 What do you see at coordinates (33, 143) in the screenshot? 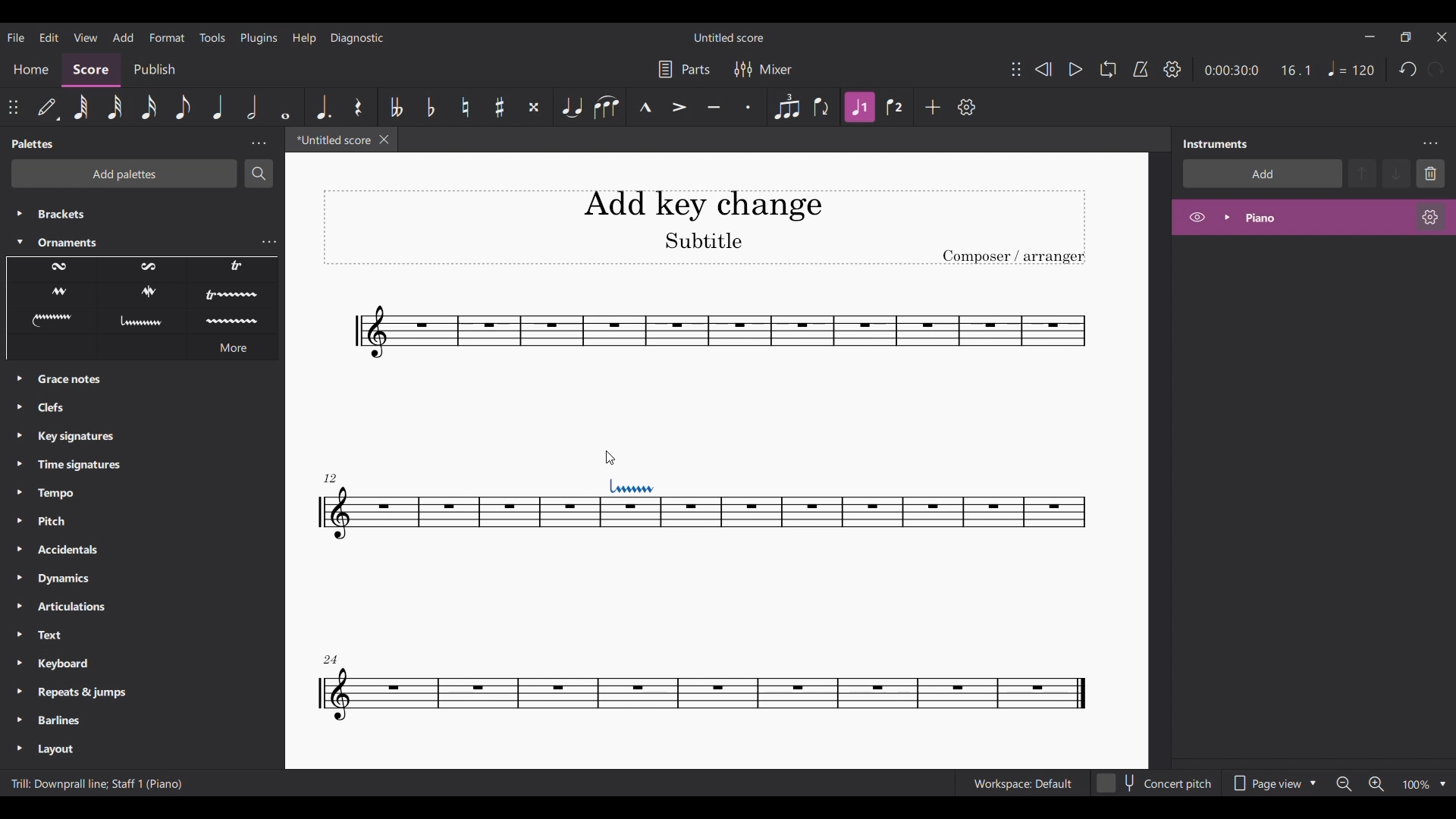
I see `Panel title` at bounding box center [33, 143].